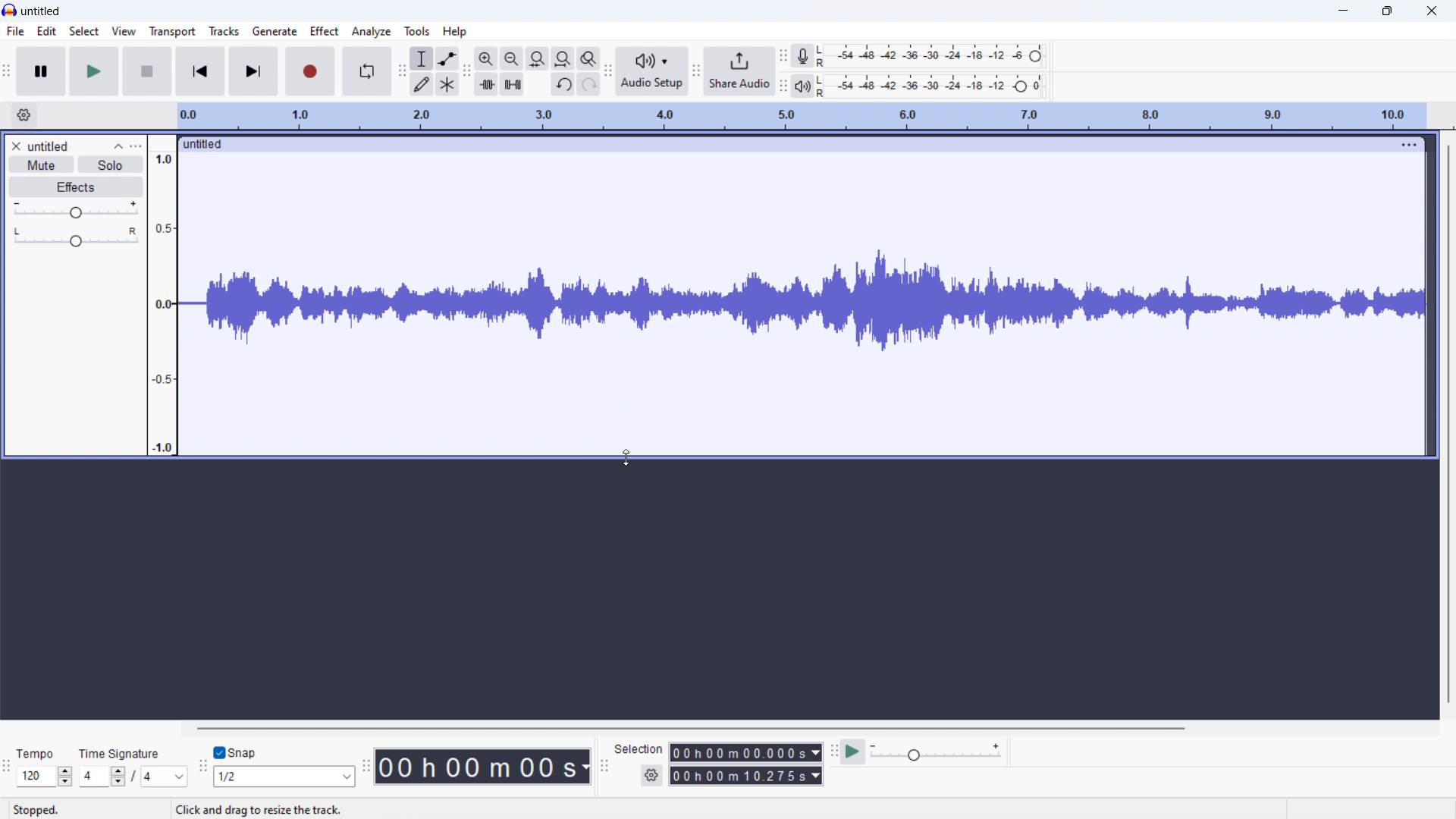 The height and width of the screenshot is (819, 1456). What do you see at coordinates (172, 31) in the screenshot?
I see `transport` at bounding box center [172, 31].